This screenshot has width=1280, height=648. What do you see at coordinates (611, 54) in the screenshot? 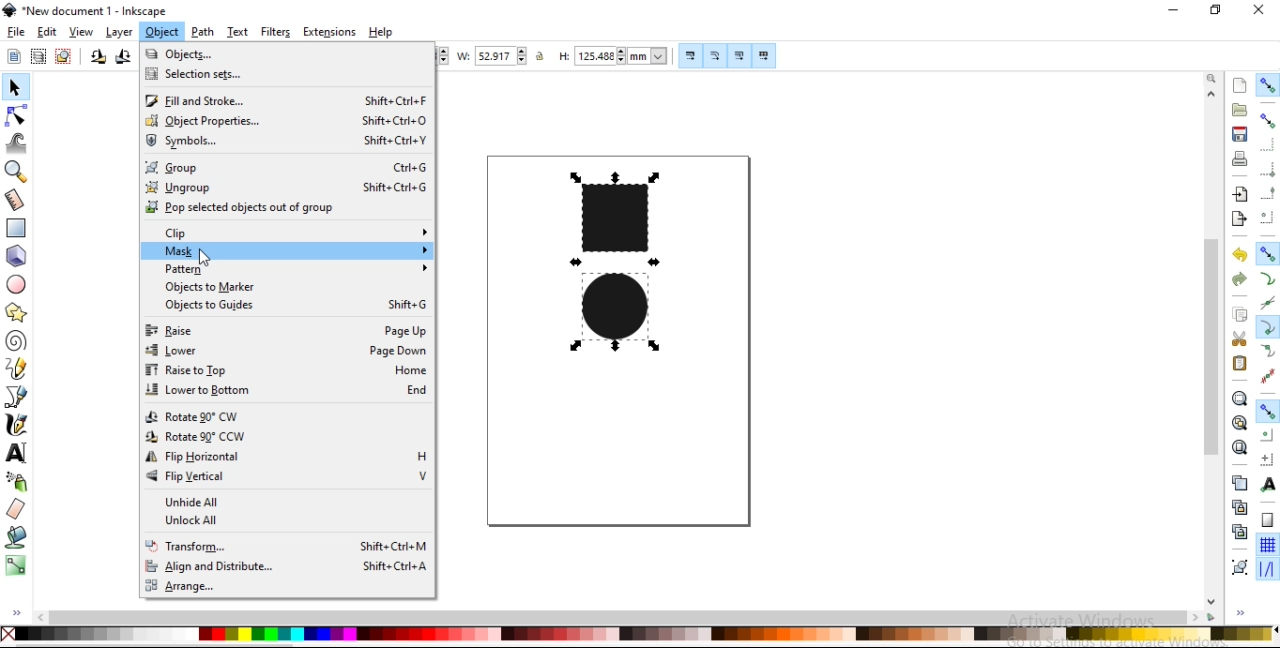
I see `height of selection` at bounding box center [611, 54].